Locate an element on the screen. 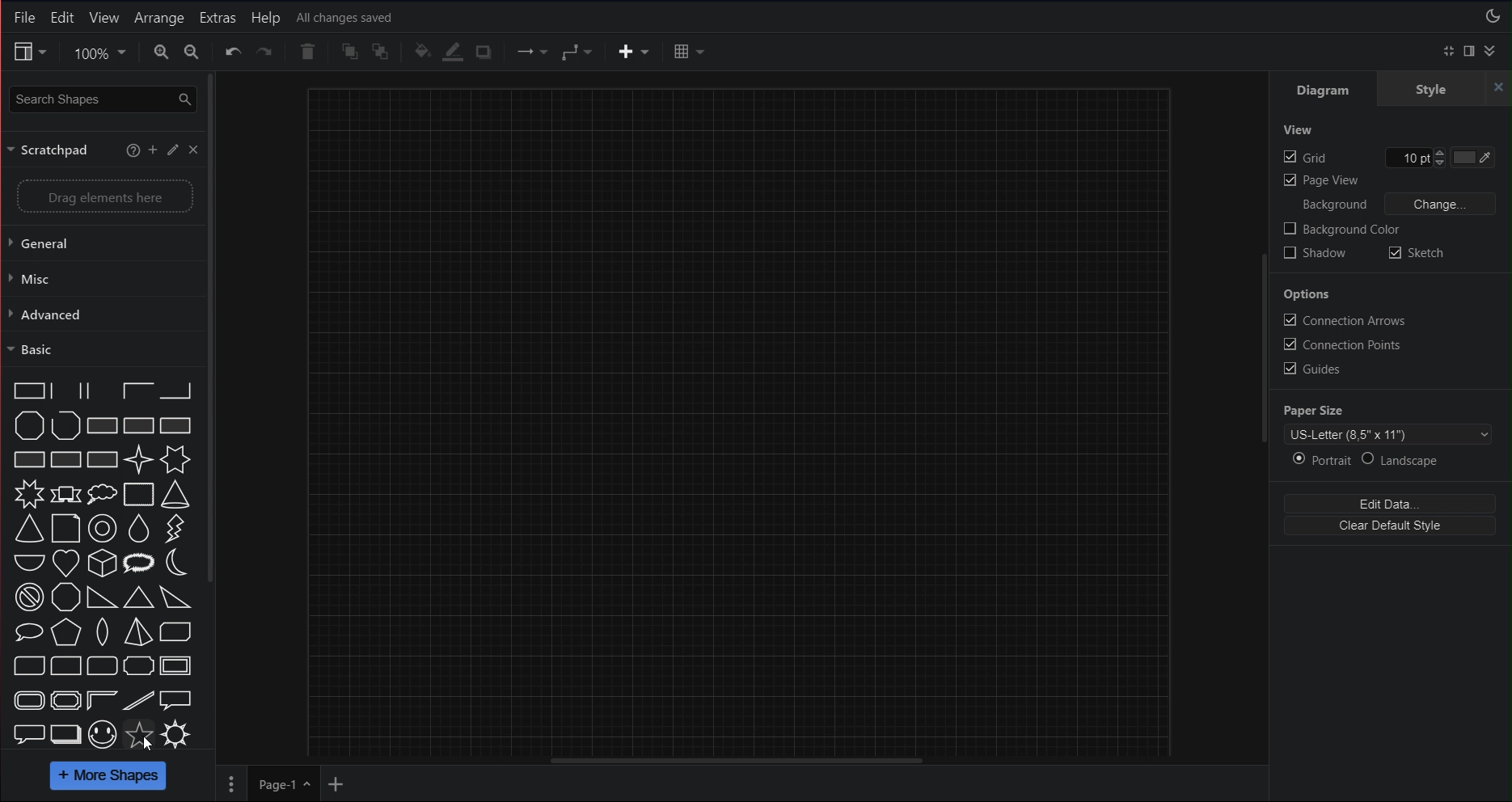 Image resolution: width=1512 pixels, height=802 pixels. flash is located at coordinates (173, 530).